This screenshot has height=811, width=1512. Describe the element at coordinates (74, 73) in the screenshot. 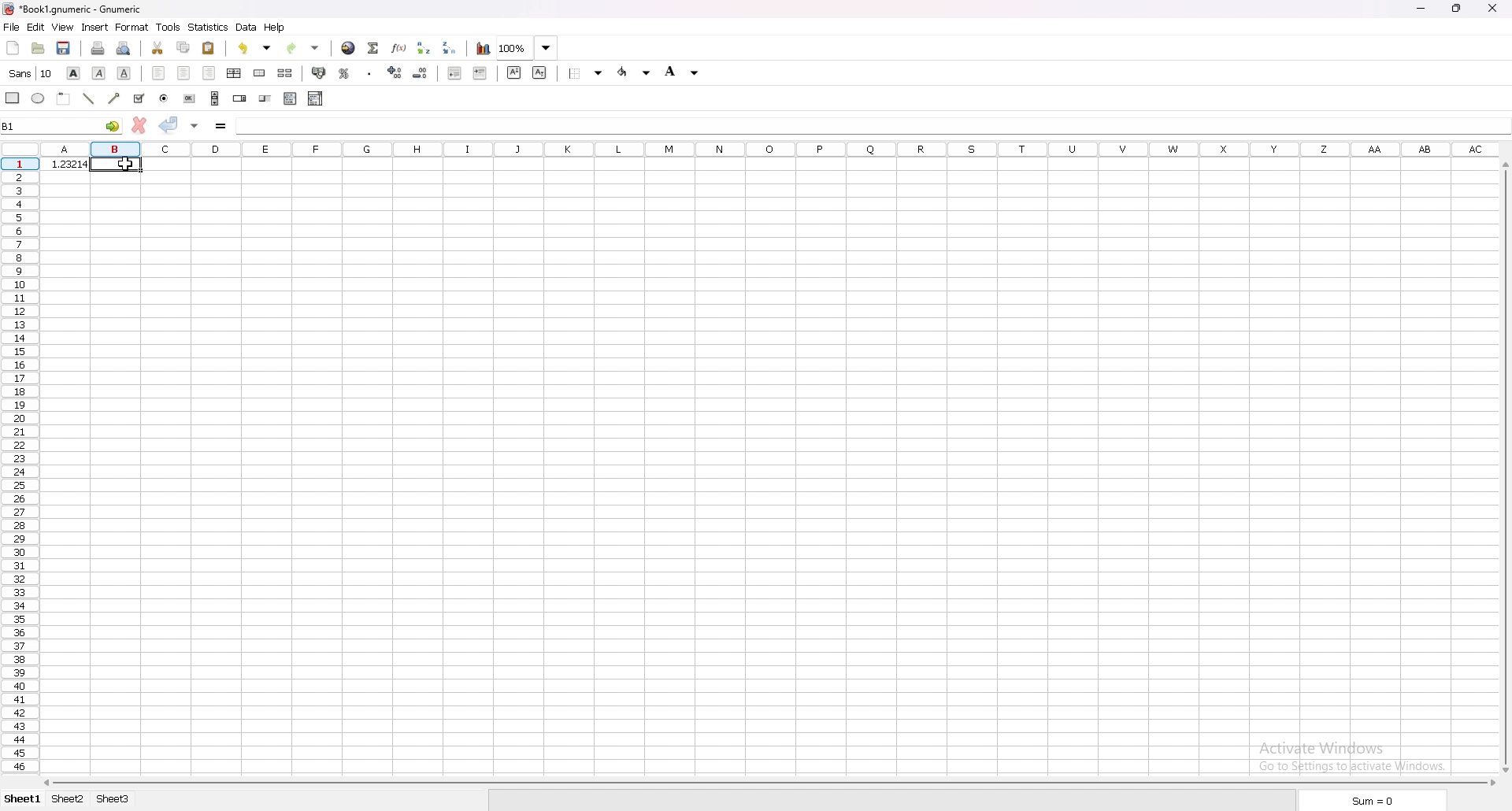

I see `bold` at that location.